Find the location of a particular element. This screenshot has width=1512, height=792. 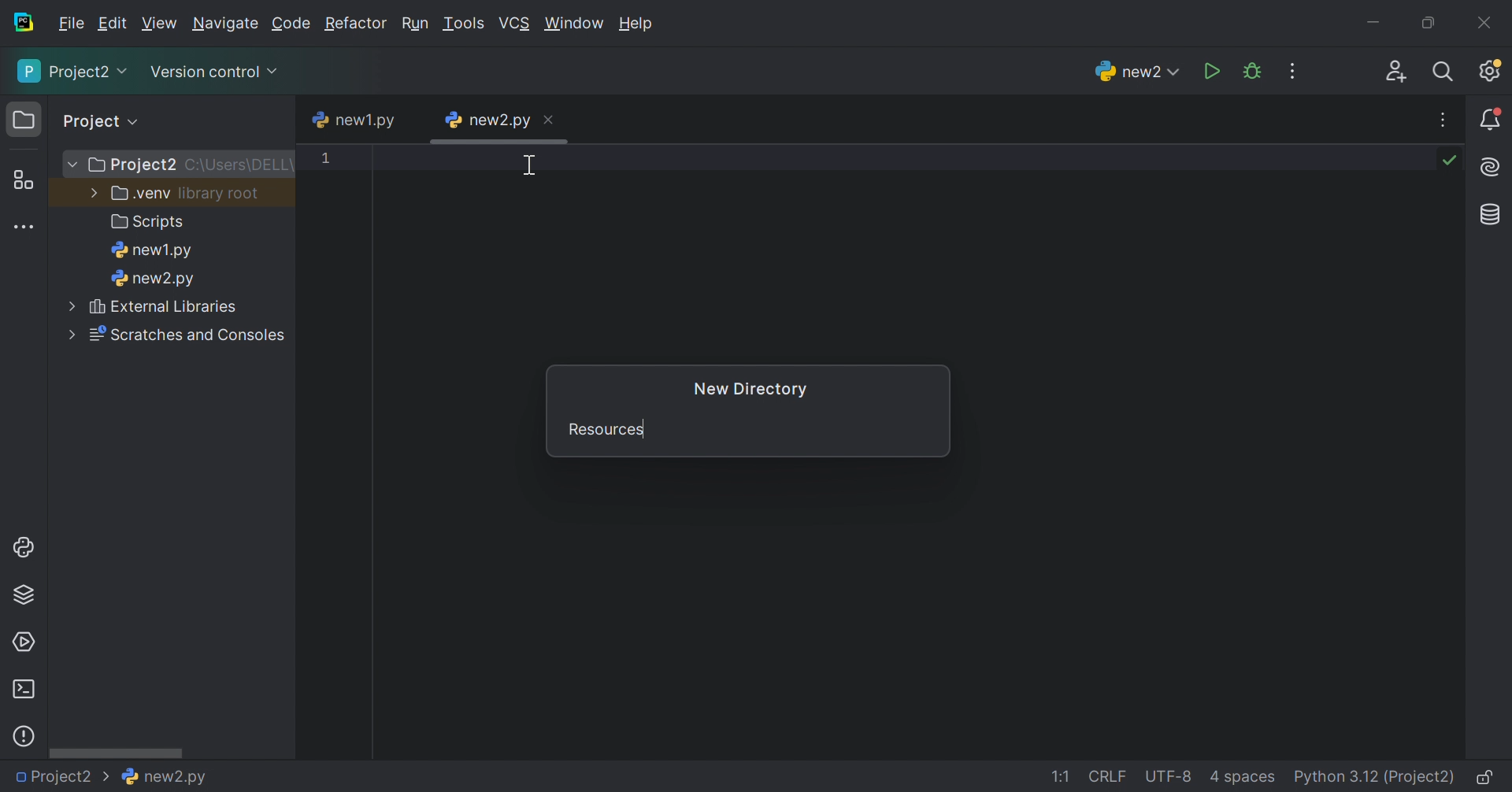

CRLF is located at coordinates (1106, 775).